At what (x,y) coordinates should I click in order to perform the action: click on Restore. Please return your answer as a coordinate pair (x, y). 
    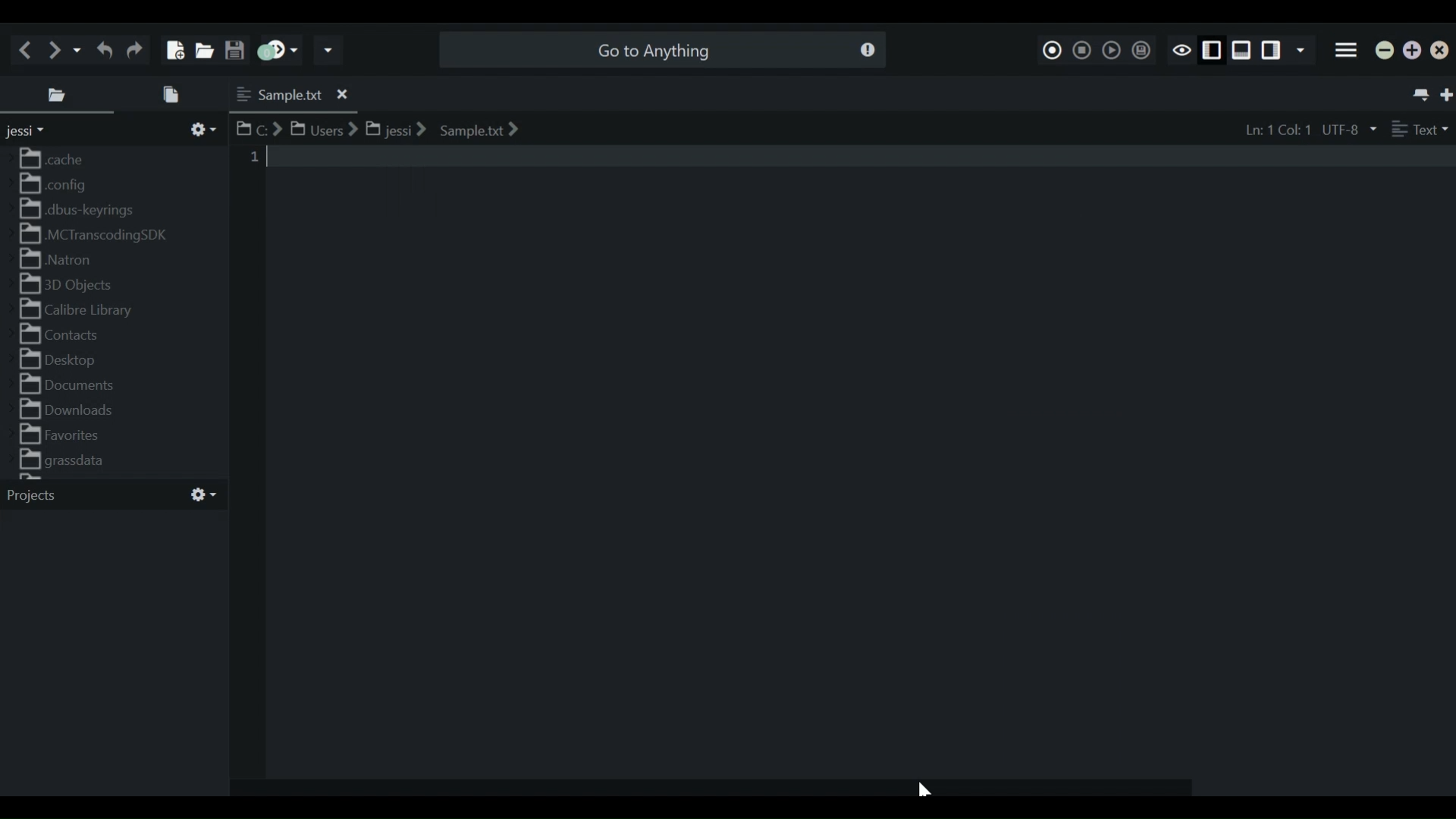
    Looking at the image, I should click on (1413, 51).